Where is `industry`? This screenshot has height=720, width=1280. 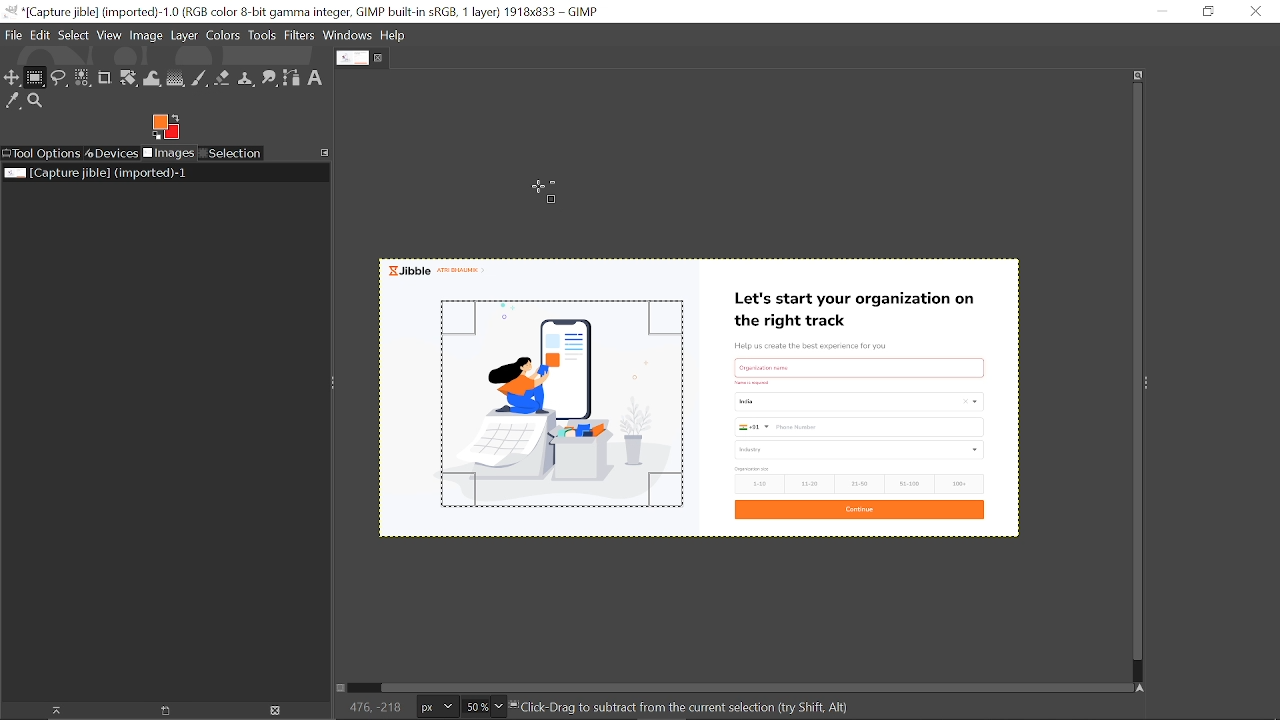
industry is located at coordinates (861, 450).